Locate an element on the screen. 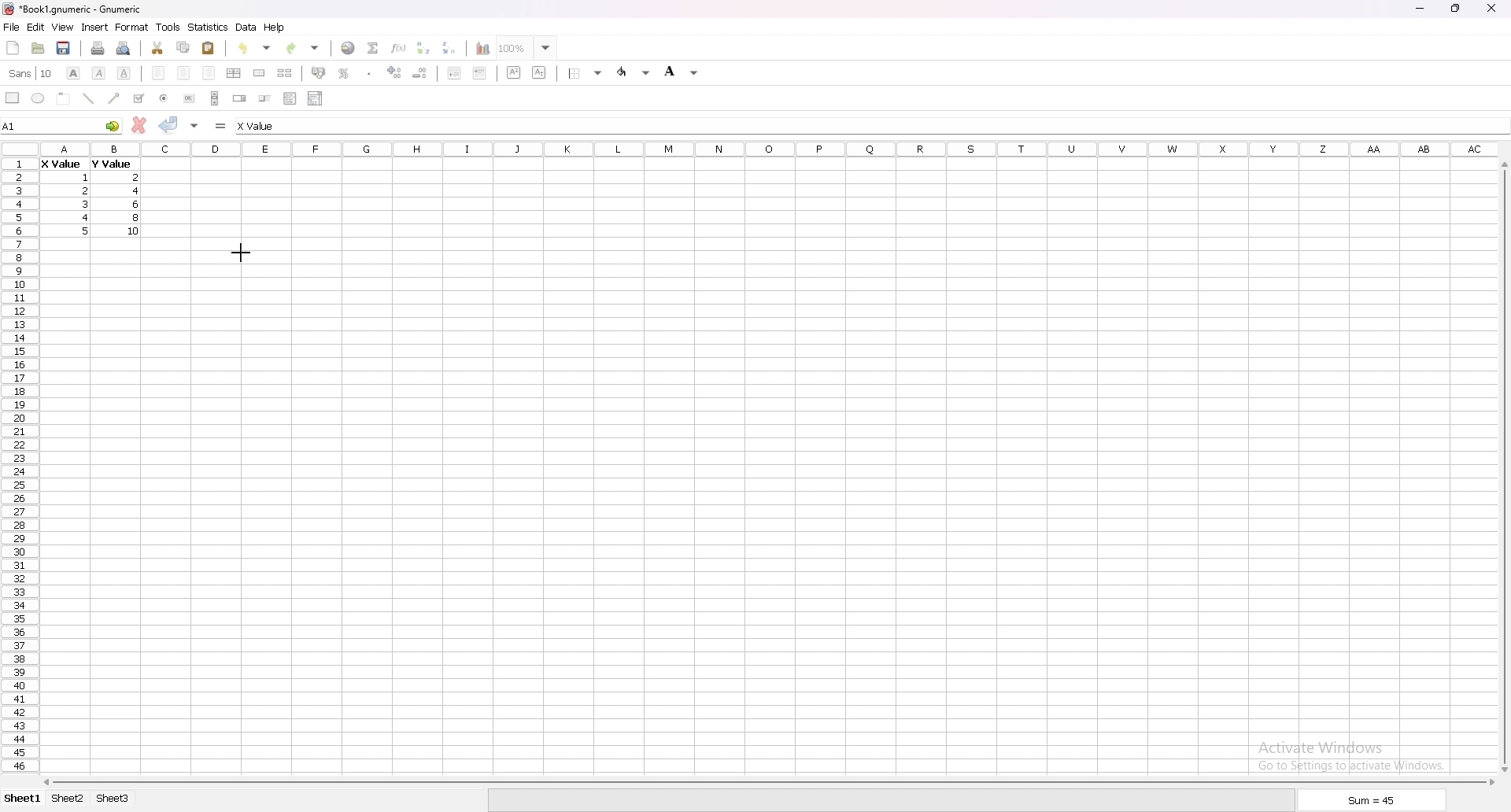 This screenshot has width=1511, height=812. border is located at coordinates (587, 72).